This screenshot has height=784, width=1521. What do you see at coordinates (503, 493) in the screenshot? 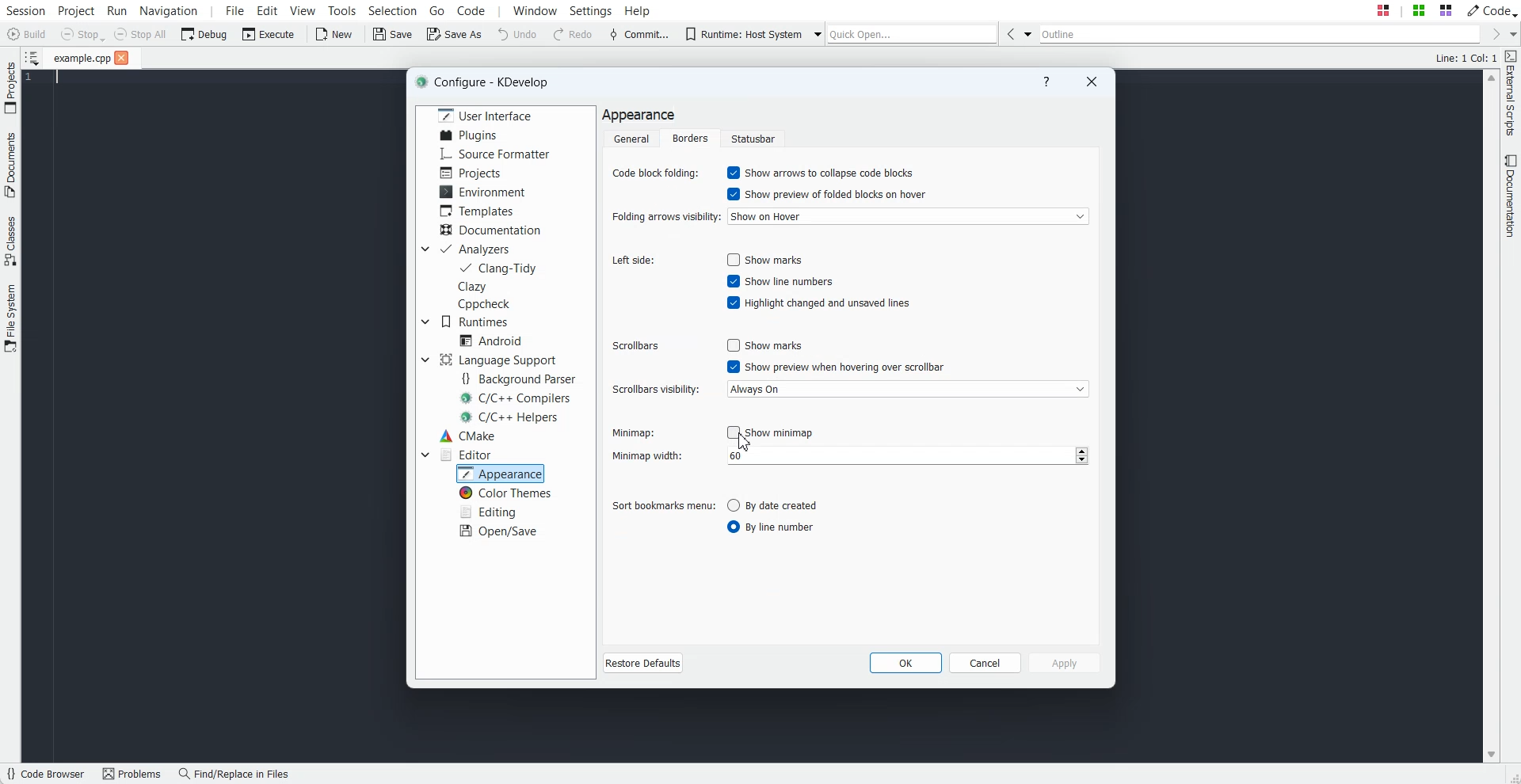
I see `Color Themes` at bounding box center [503, 493].